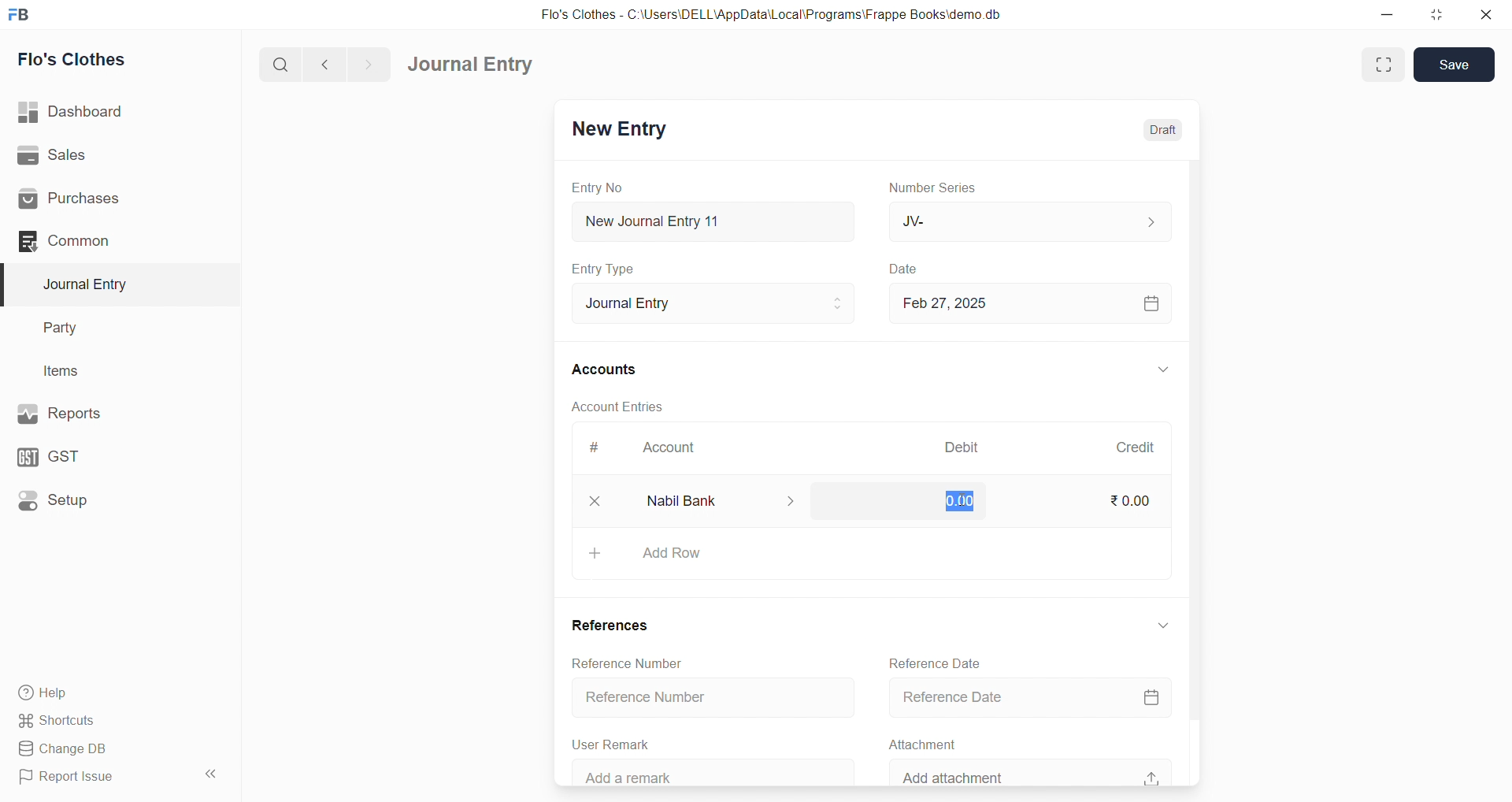  Describe the element at coordinates (372, 64) in the screenshot. I see `navigate forward` at that location.